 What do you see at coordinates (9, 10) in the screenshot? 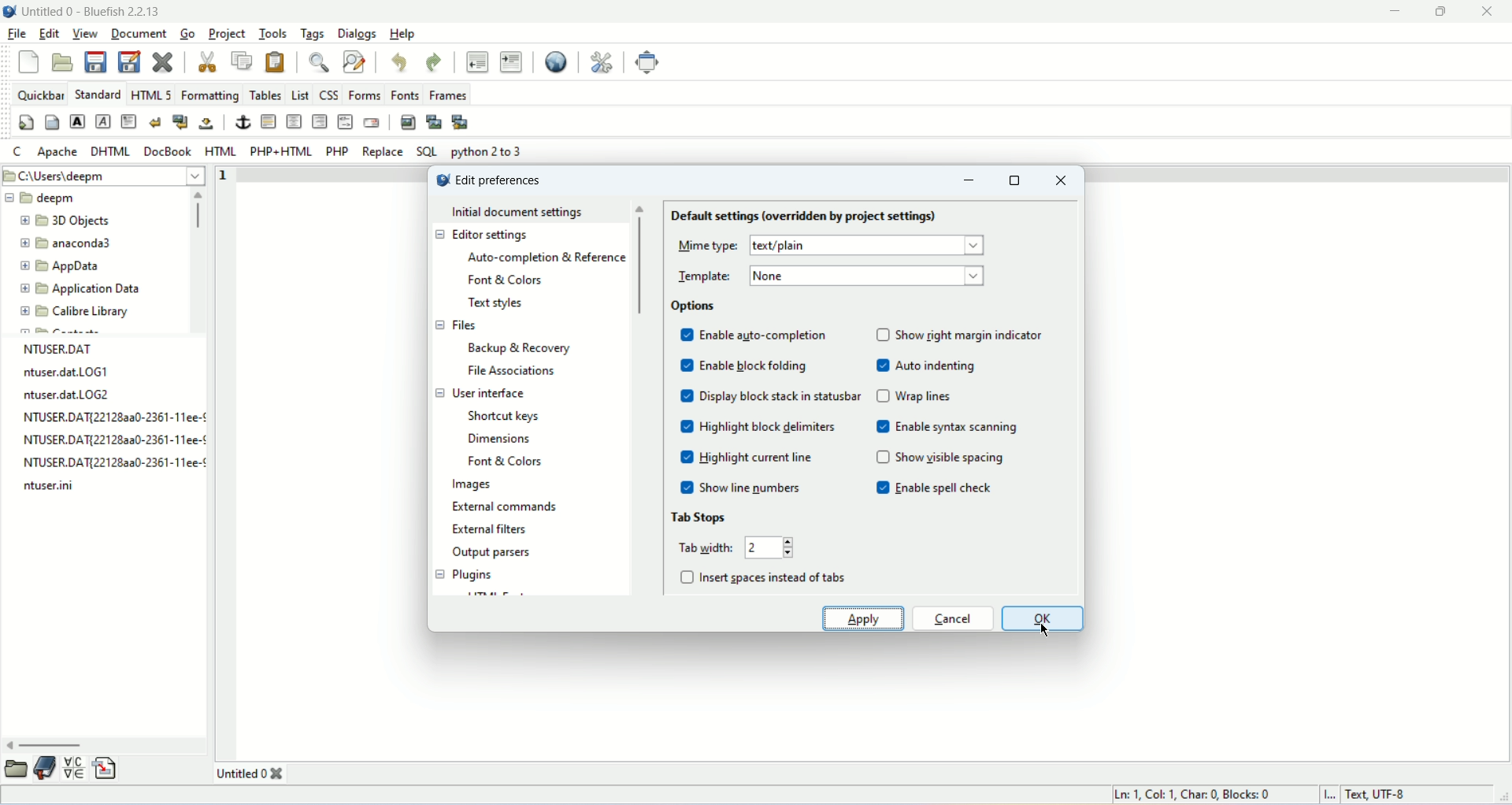
I see `logo` at bounding box center [9, 10].